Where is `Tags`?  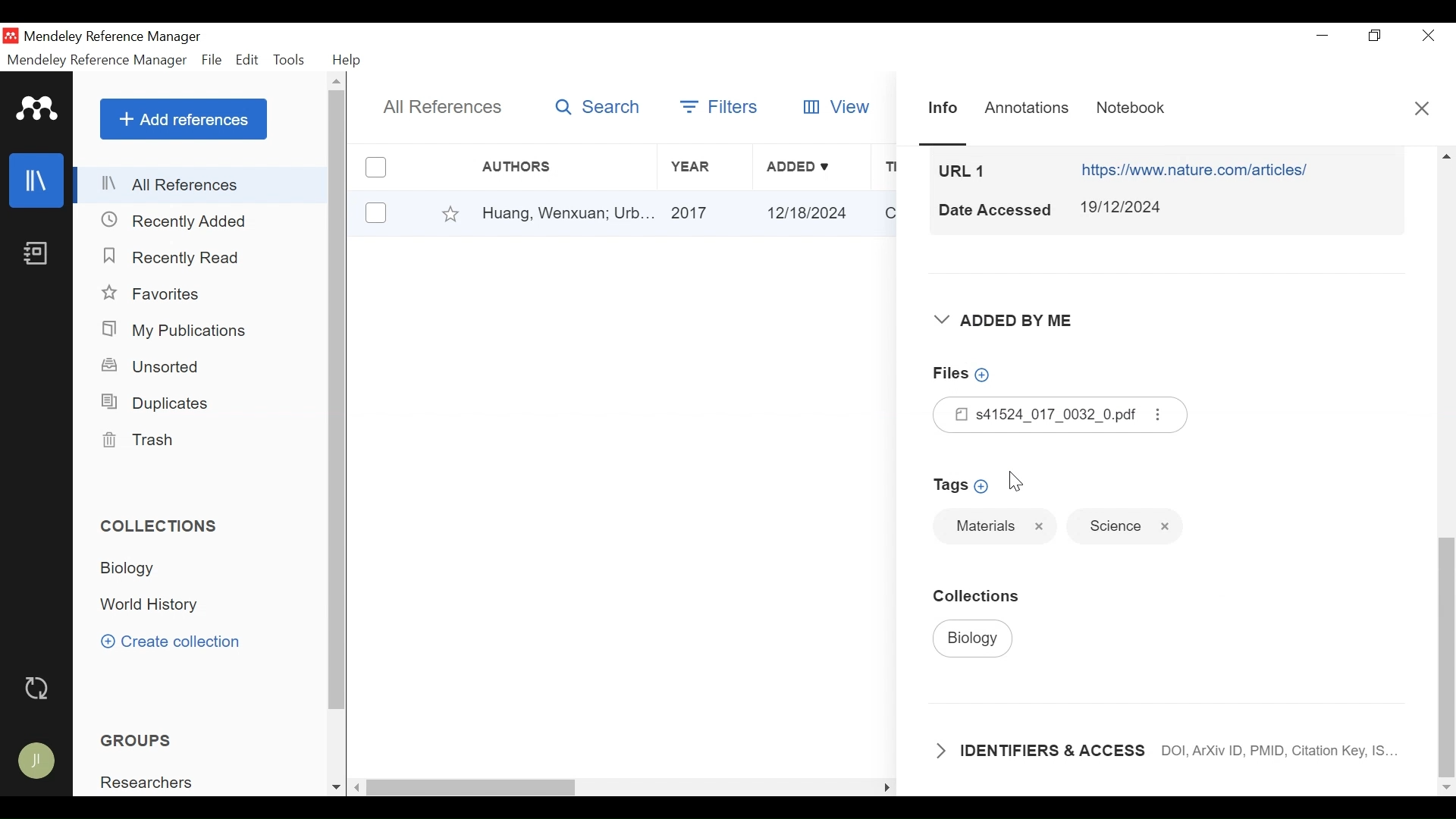 Tags is located at coordinates (962, 485).